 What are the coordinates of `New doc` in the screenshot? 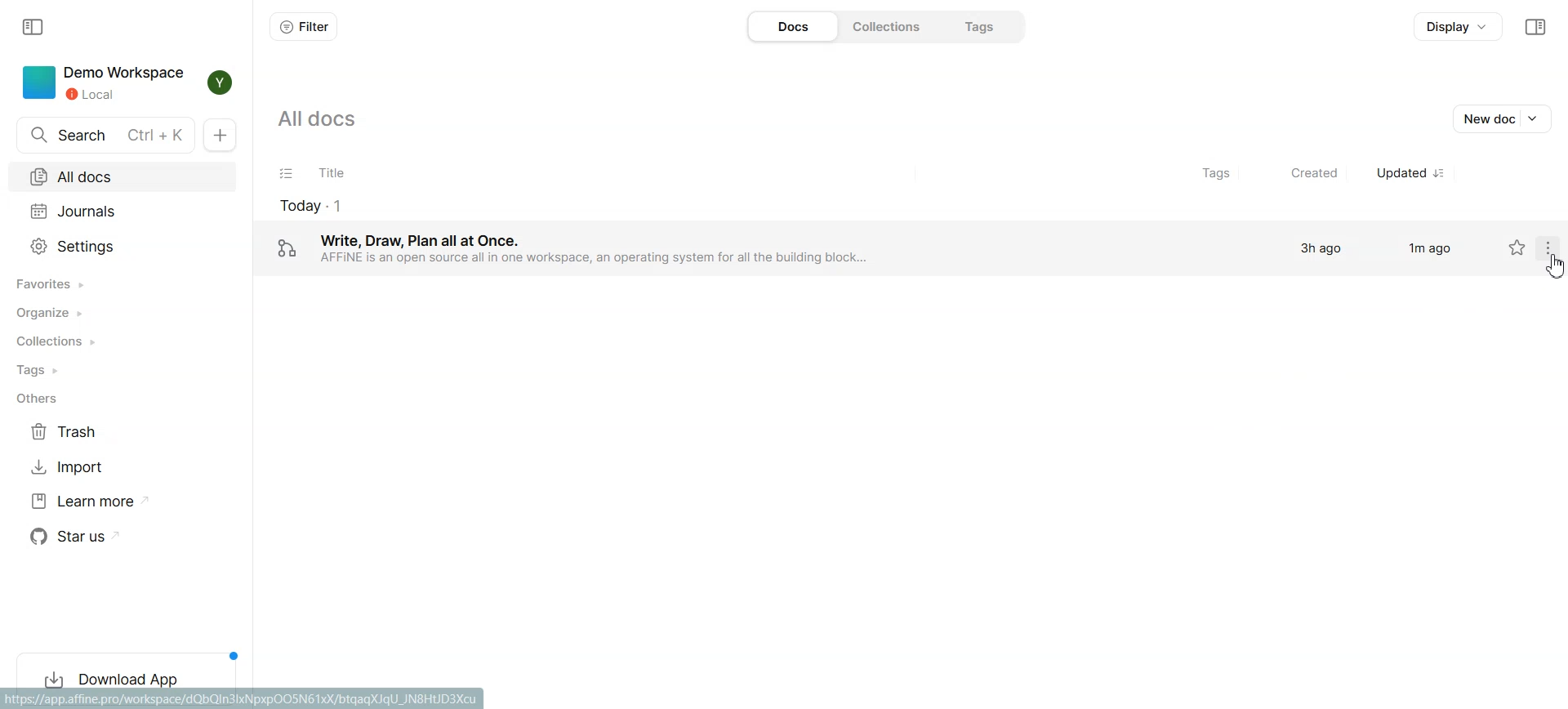 It's located at (1501, 118).